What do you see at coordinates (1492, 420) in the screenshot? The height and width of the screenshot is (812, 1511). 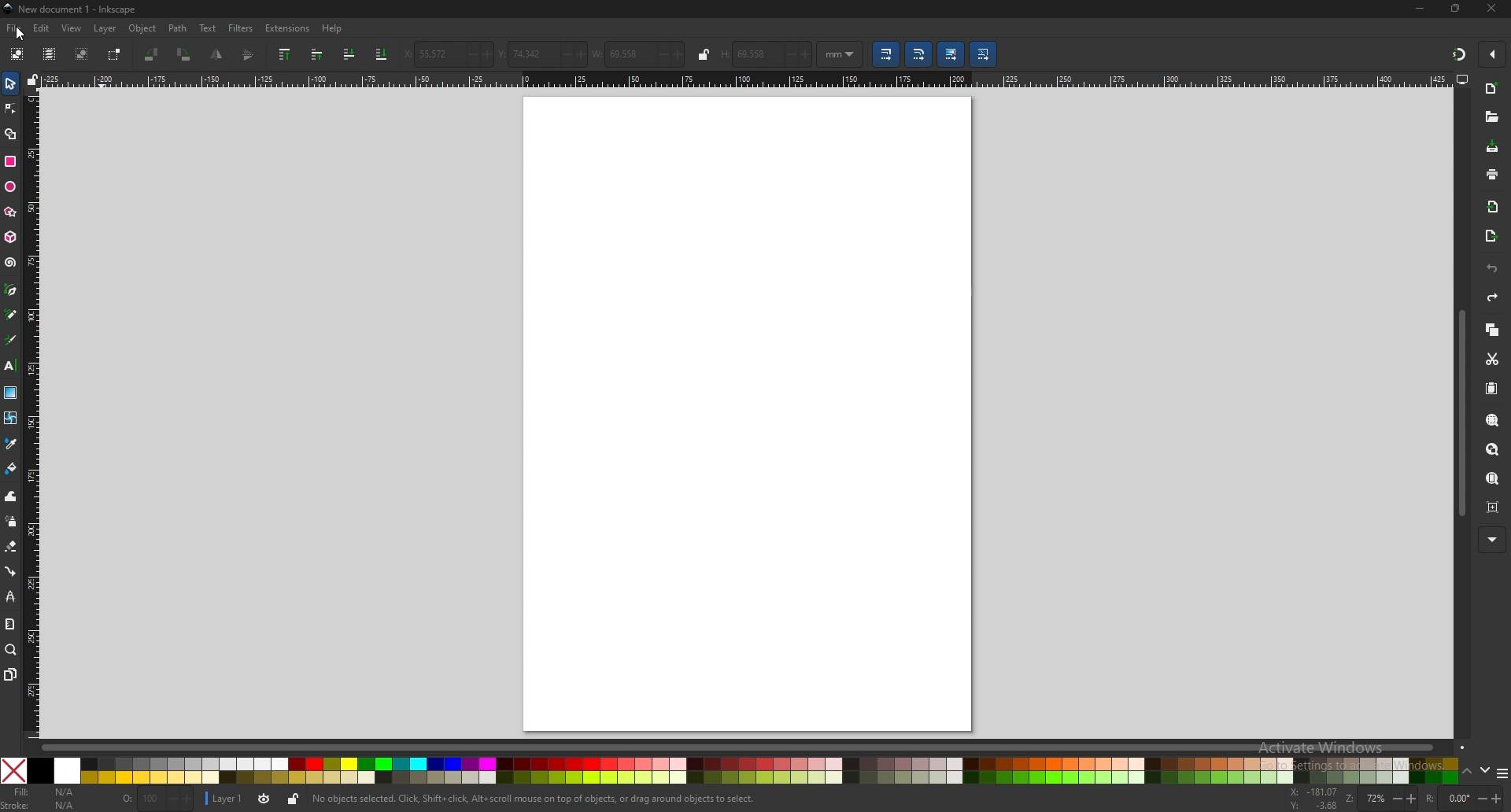 I see `zoom selection` at bounding box center [1492, 420].